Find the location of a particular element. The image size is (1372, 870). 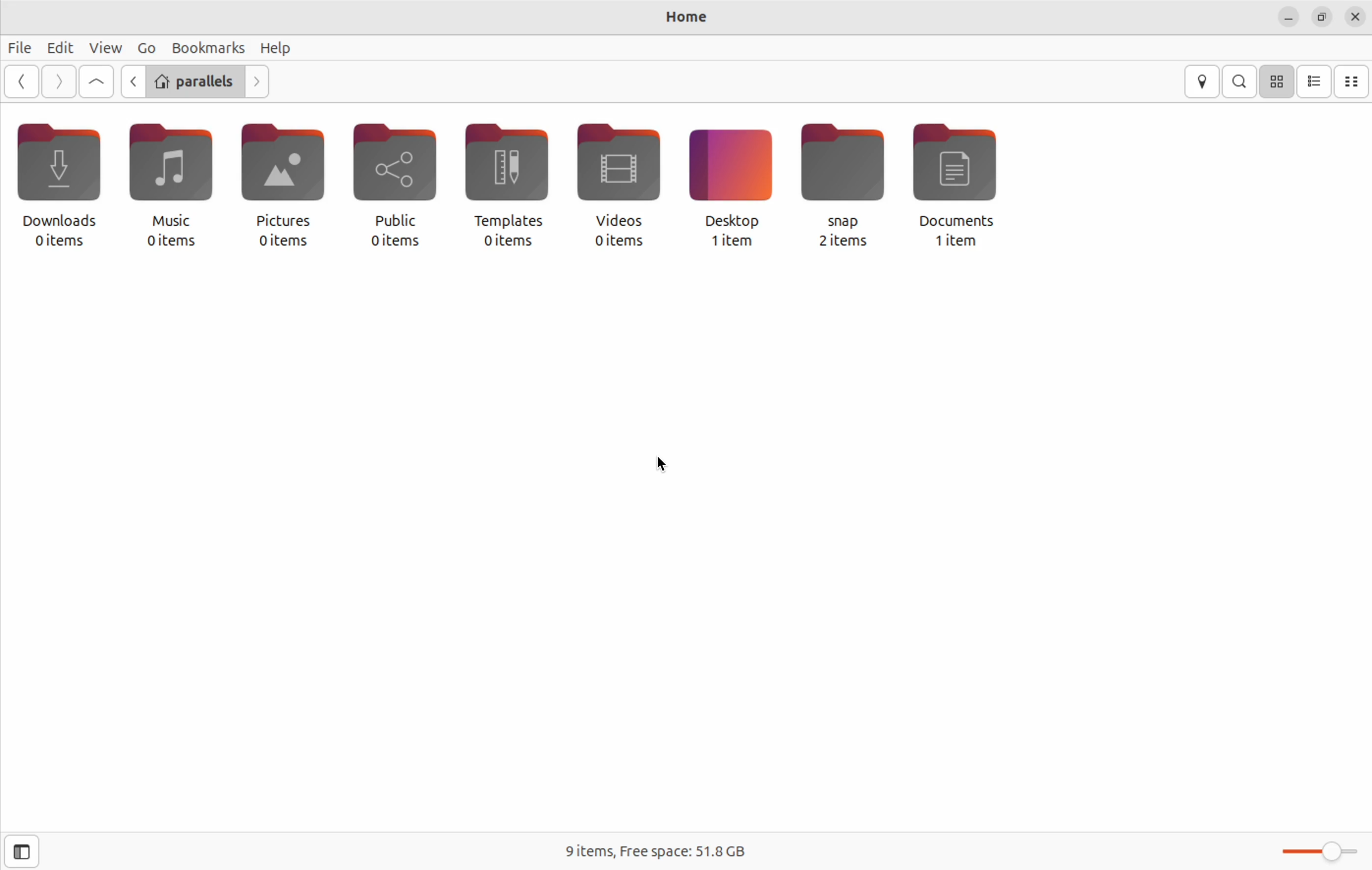

go  is located at coordinates (146, 47).